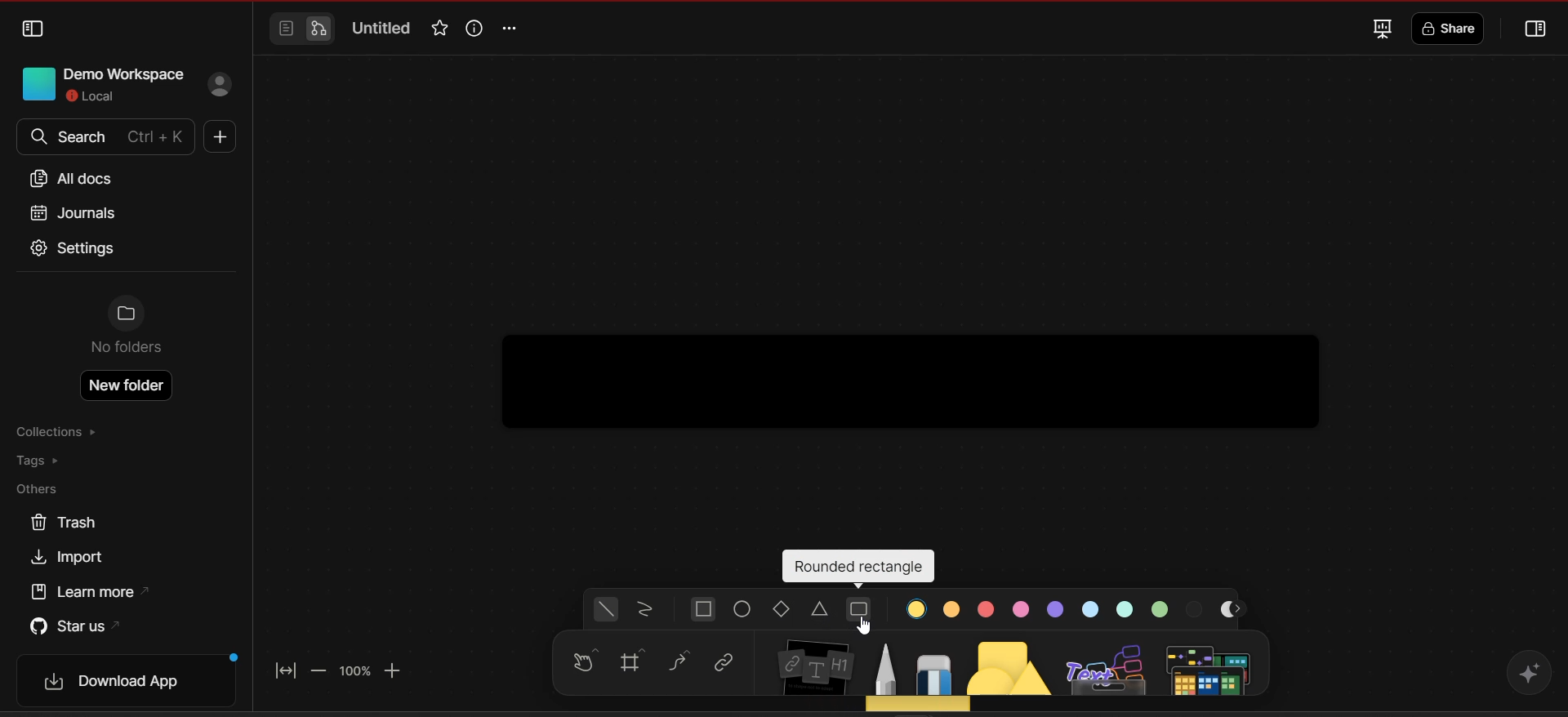  Describe the element at coordinates (1108, 666) in the screenshot. I see `others` at that location.